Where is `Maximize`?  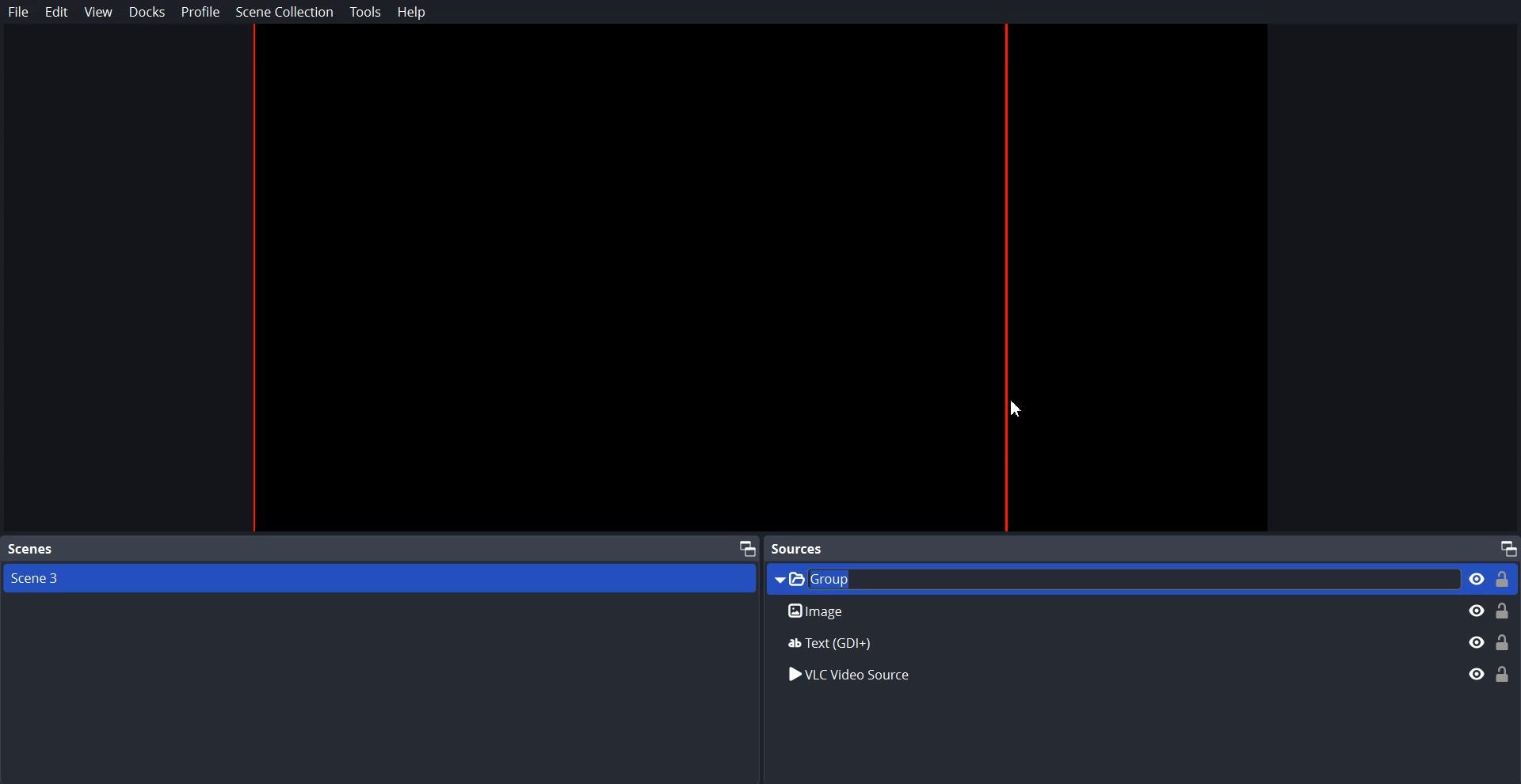 Maximize is located at coordinates (748, 547).